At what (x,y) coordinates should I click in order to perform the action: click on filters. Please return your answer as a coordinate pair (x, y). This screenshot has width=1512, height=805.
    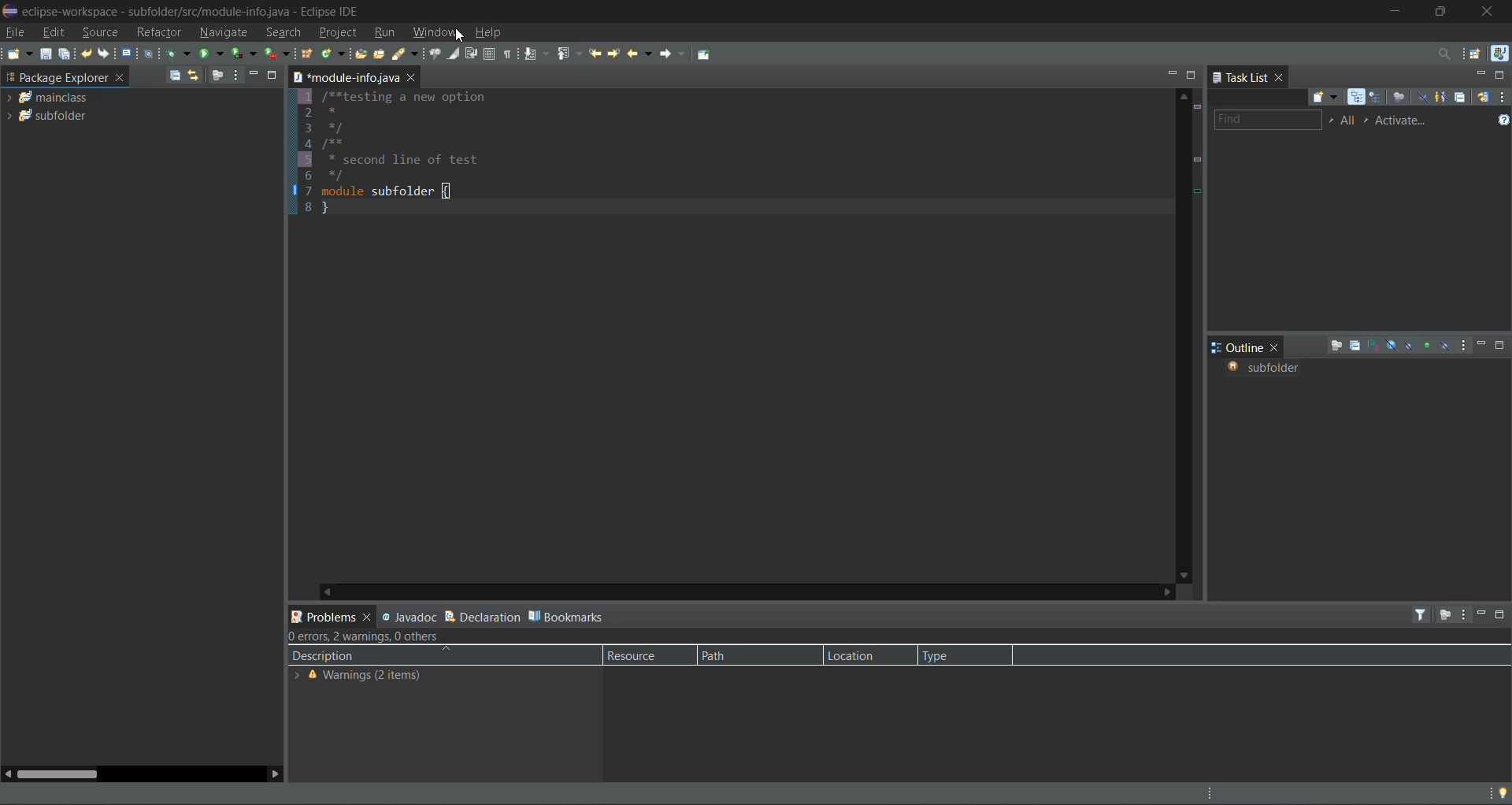
    Looking at the image, I should click on (1423, 614).